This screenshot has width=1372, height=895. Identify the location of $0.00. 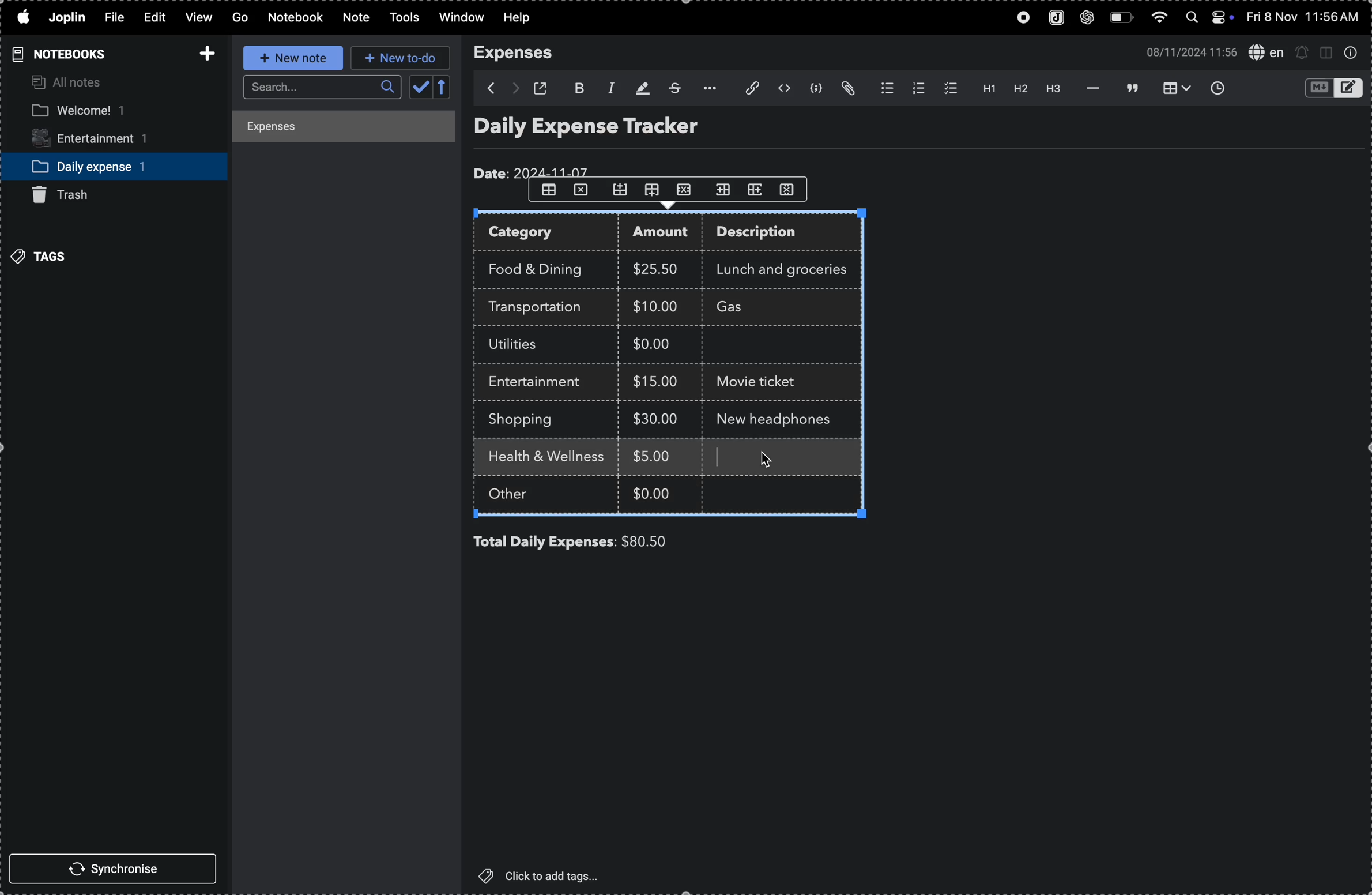
(659, 346).